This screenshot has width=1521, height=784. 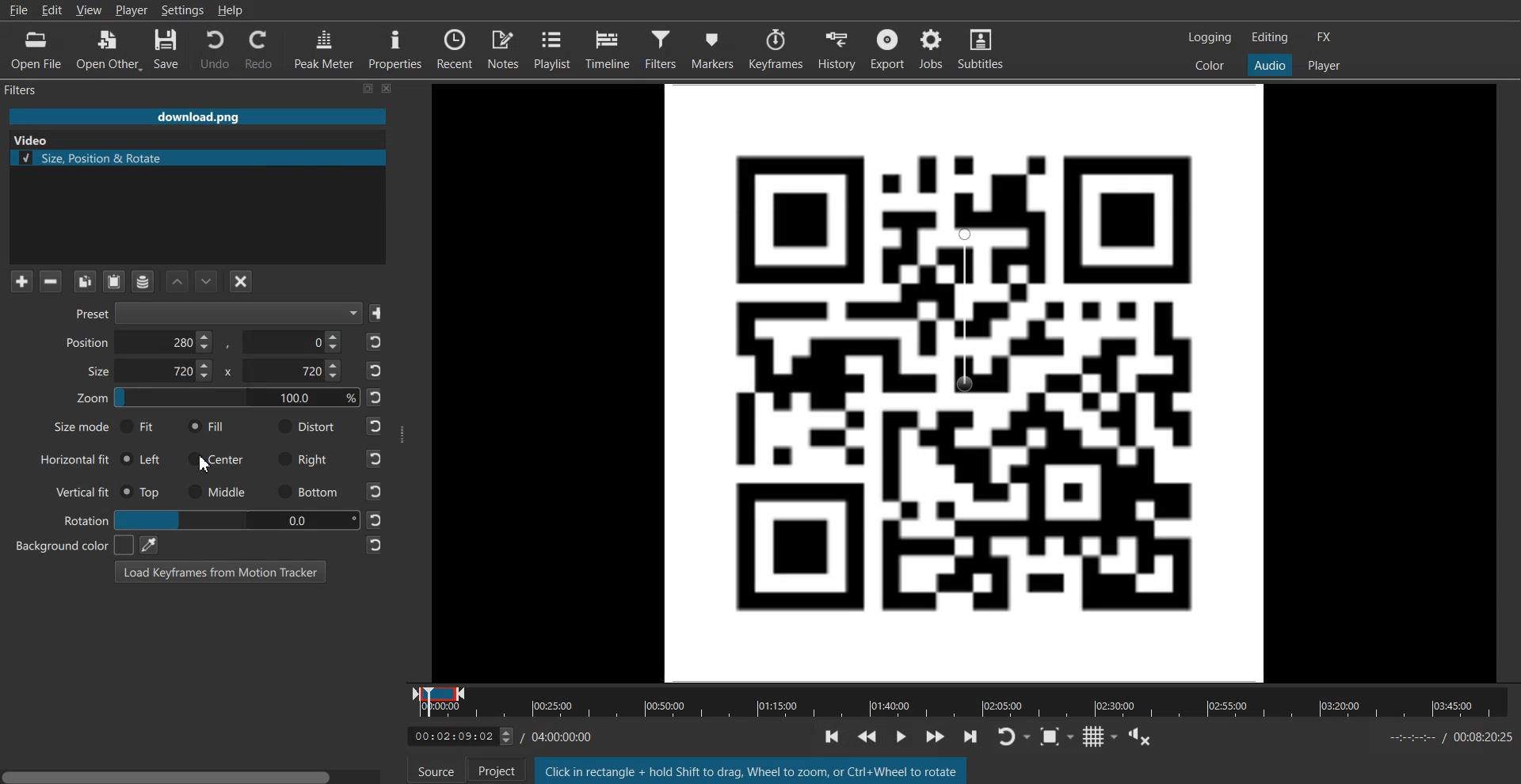 I want to click on Middle, so click(x=218, y=491).